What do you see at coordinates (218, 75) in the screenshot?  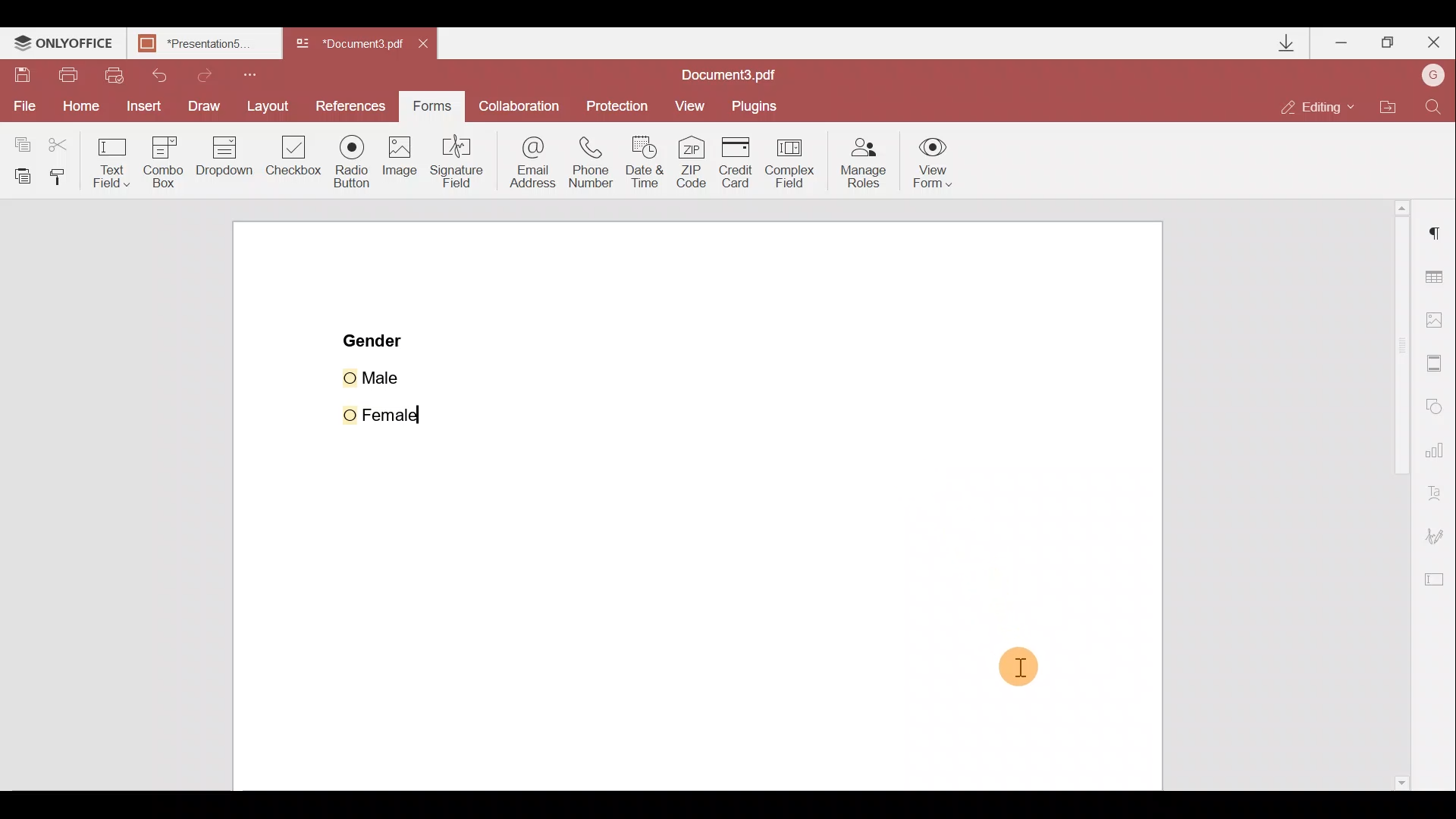 I see `Redo` at bounding box center [218, 75].